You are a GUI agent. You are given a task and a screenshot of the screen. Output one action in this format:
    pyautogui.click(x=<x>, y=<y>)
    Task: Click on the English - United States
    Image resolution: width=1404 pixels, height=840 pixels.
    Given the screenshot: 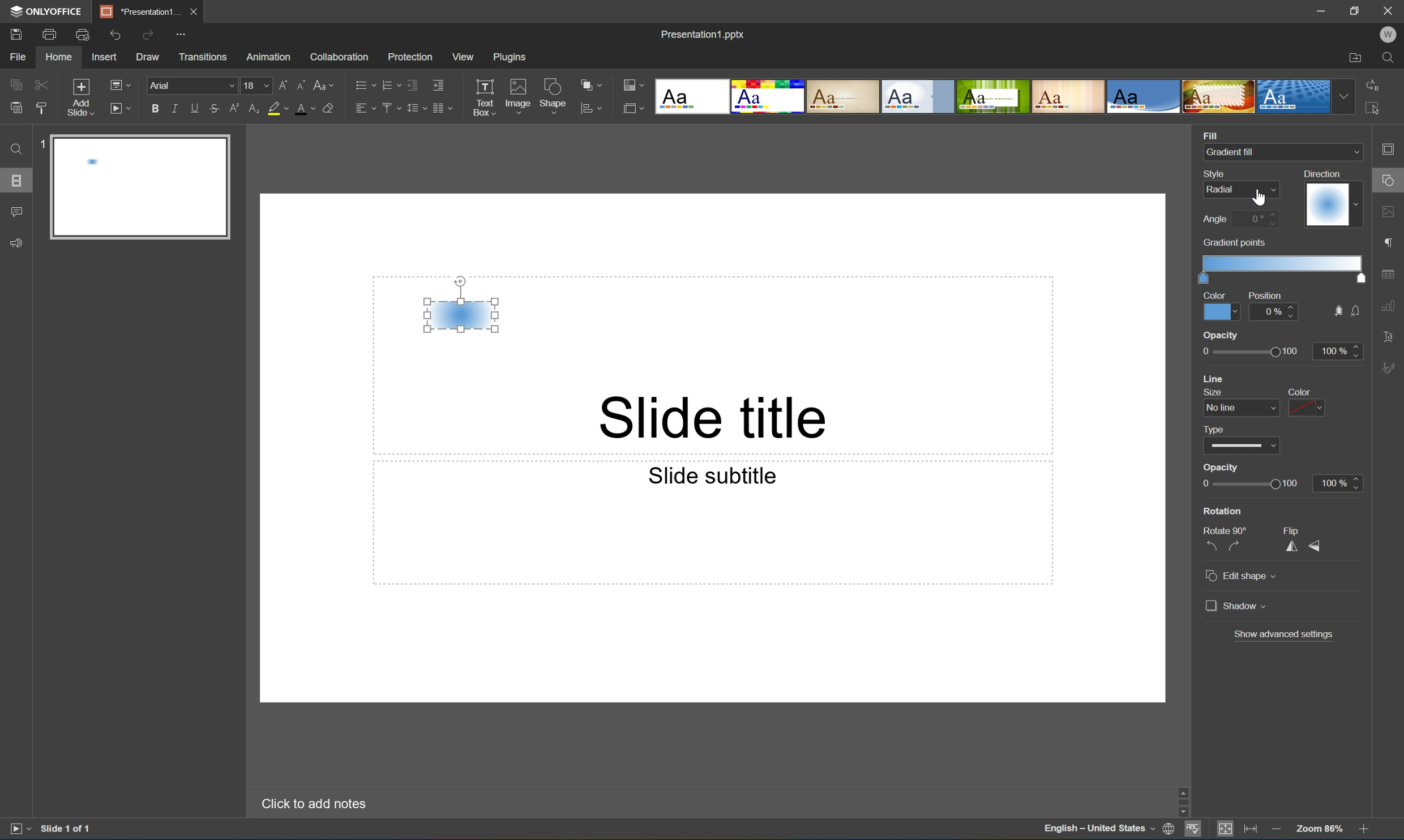 What is the action you would take?
    pyautogui.click(x=1099, y=830)
    